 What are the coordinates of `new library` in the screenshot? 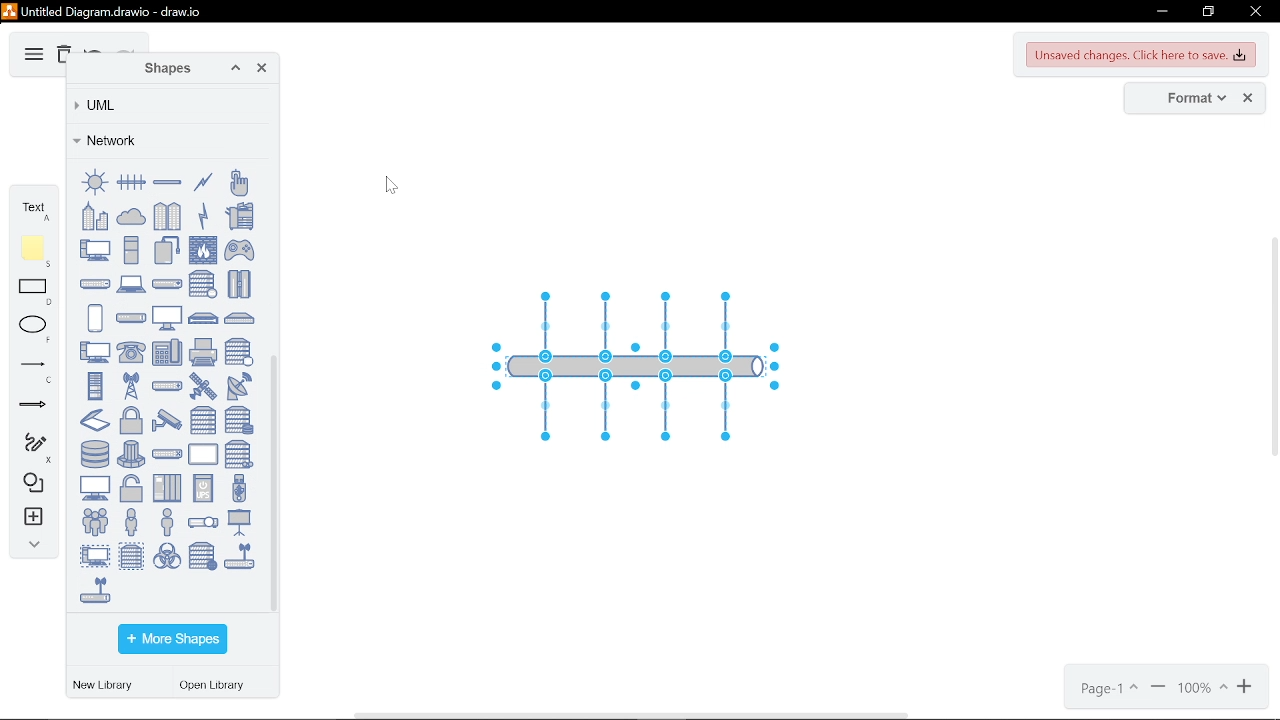 It's located at (106, 686).